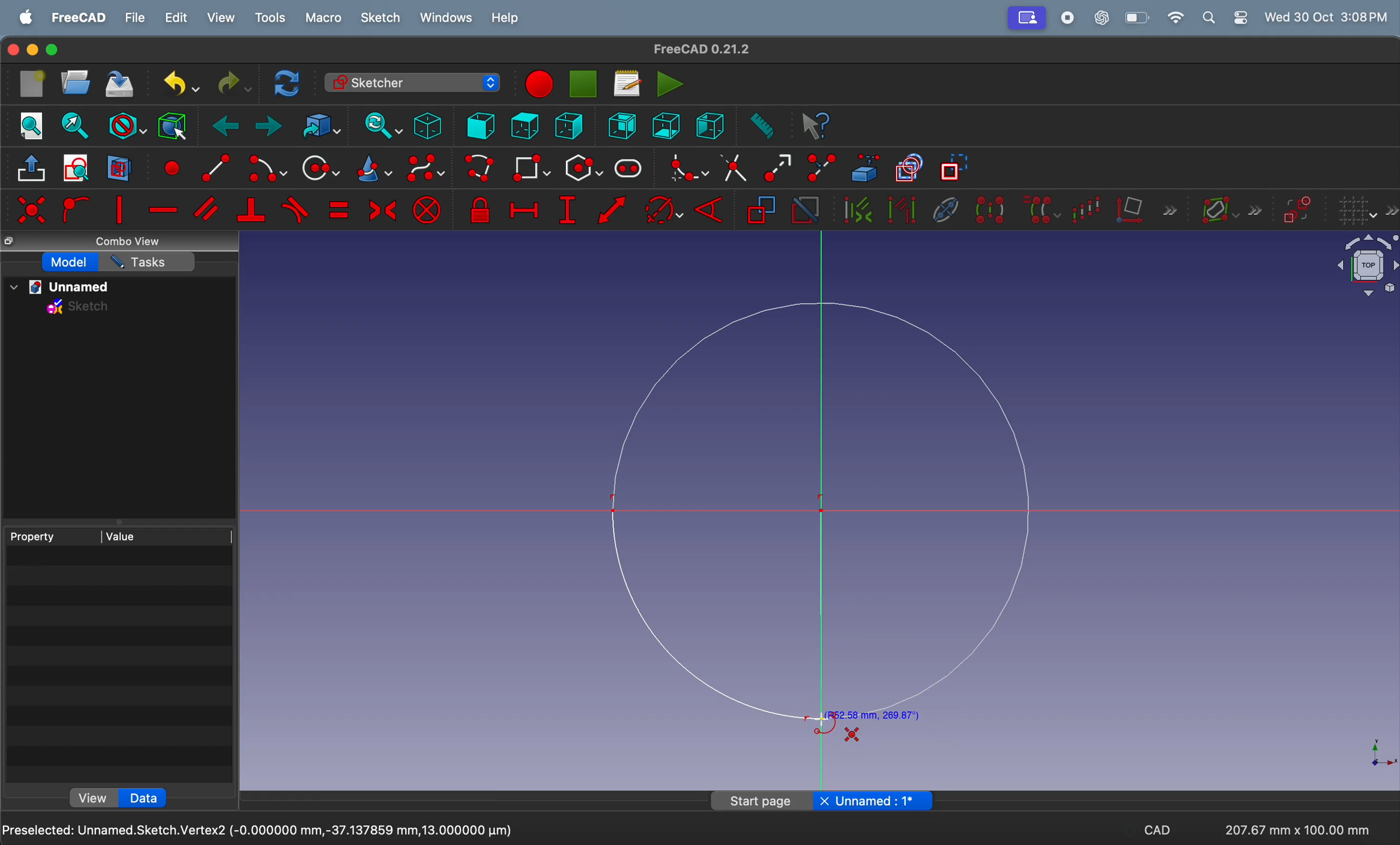  I want to click on create arc, so click(265, 169).